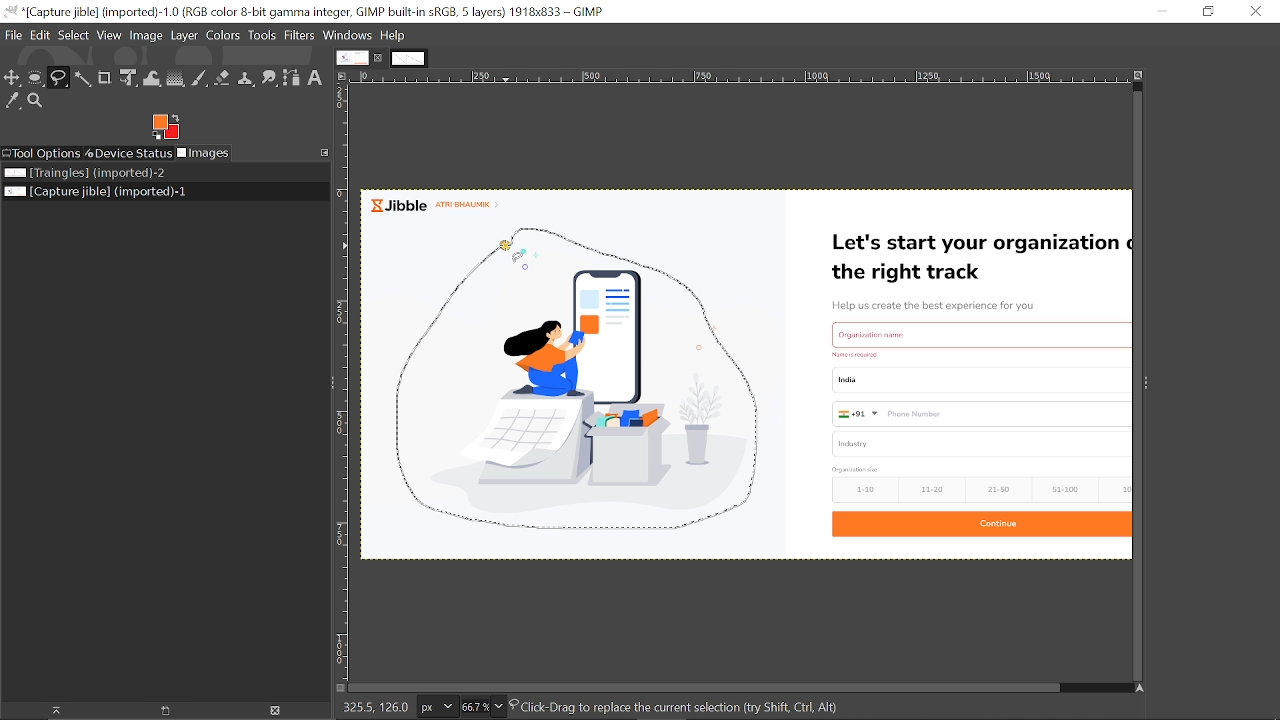 The image size is (1280, 720). I want to click on Device status, so click(128, 153).